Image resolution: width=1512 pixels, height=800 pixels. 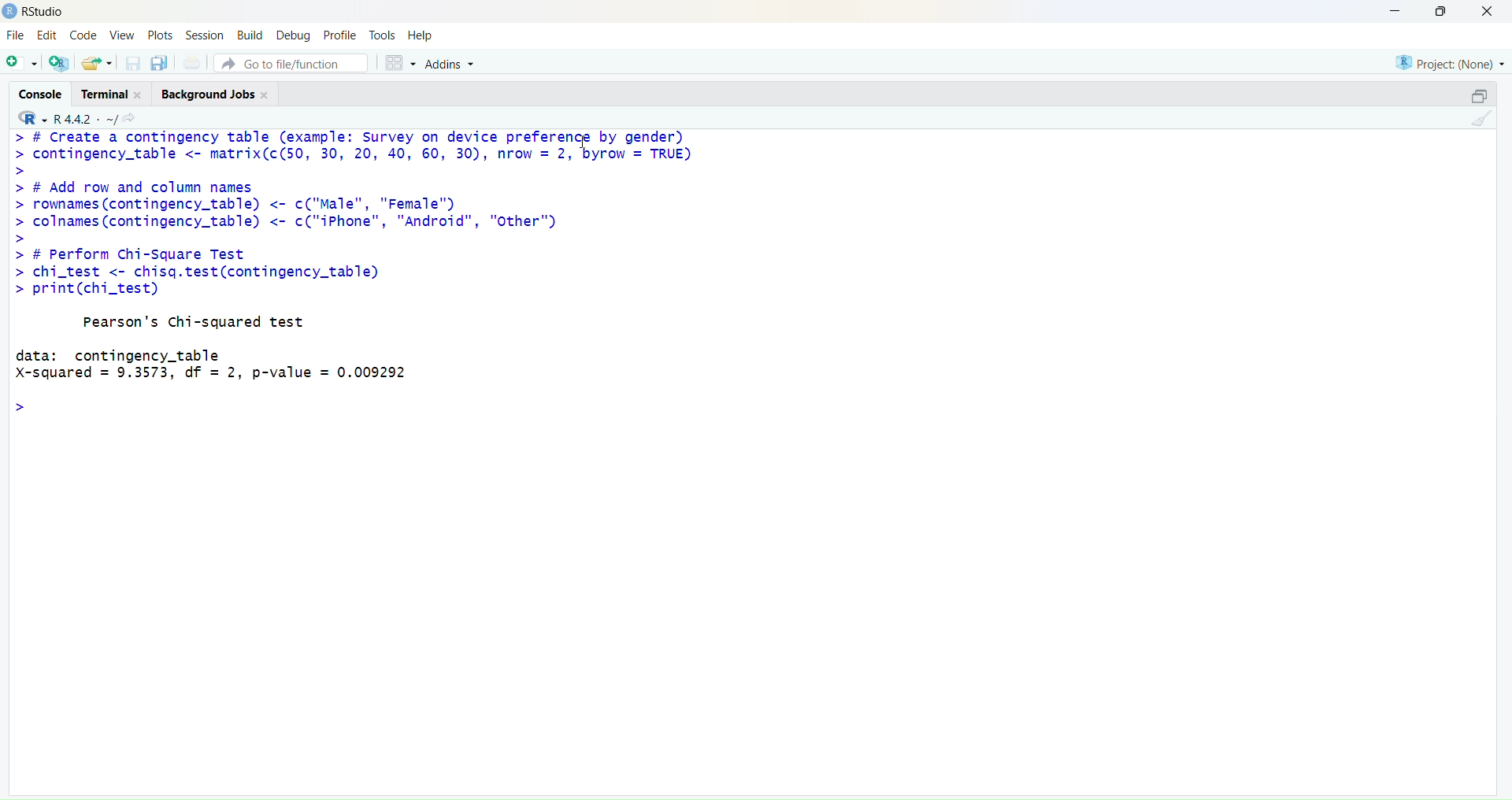 I want to click on Addins, so click(x=450, y=65).